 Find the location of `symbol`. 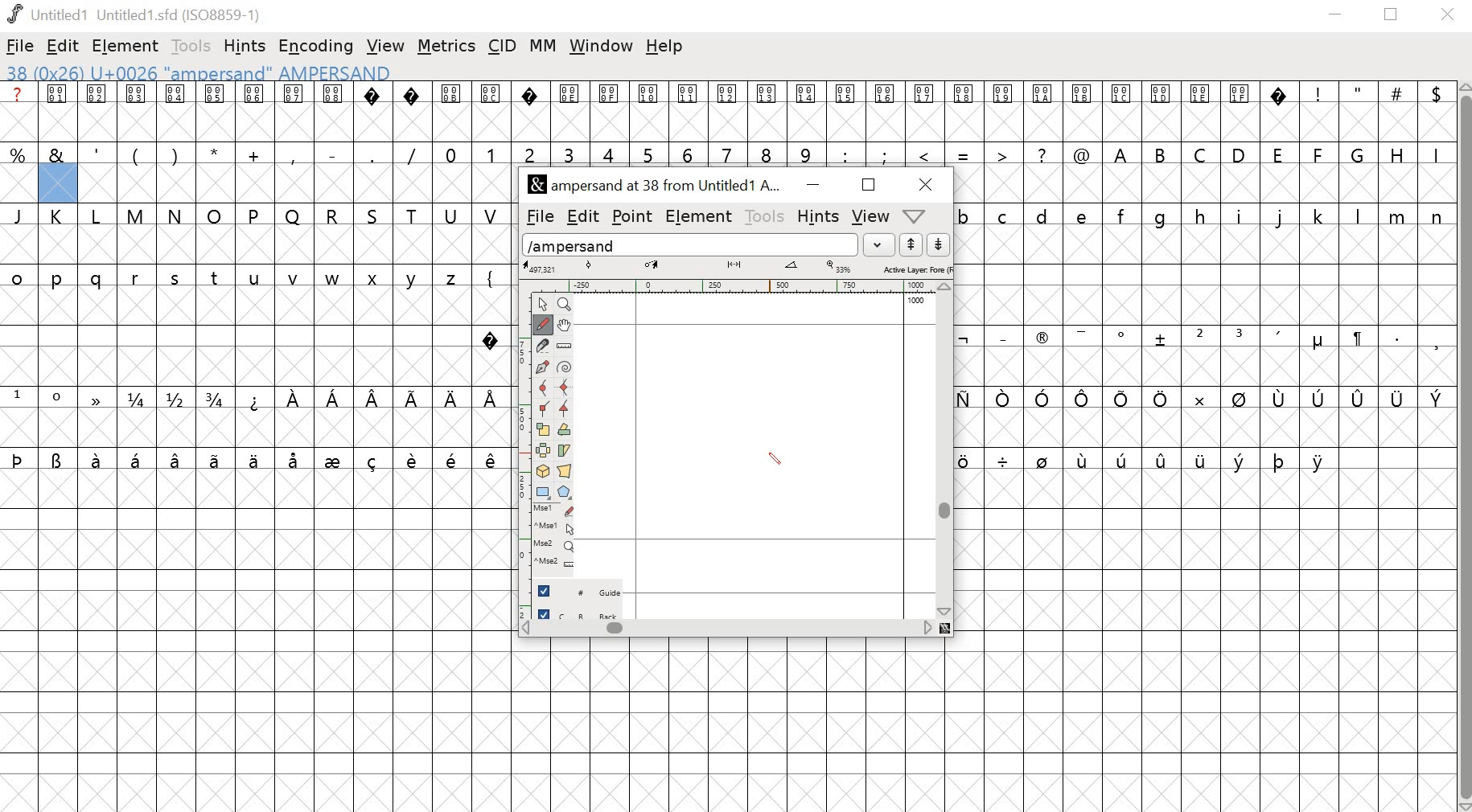

symbol is located at coordinates (296, 459).